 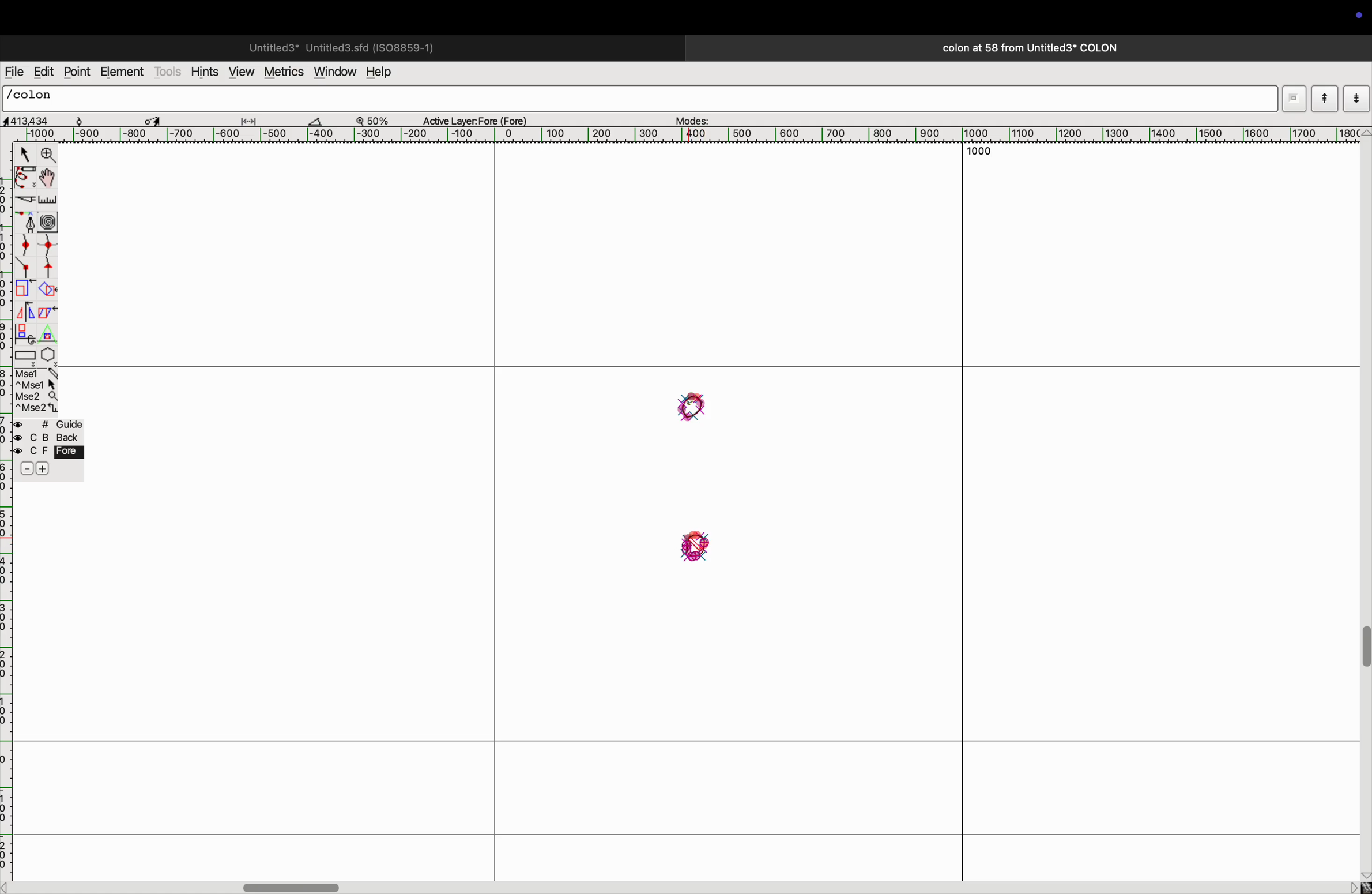 I want to click on fountain pen, so click(x=26, y=221).